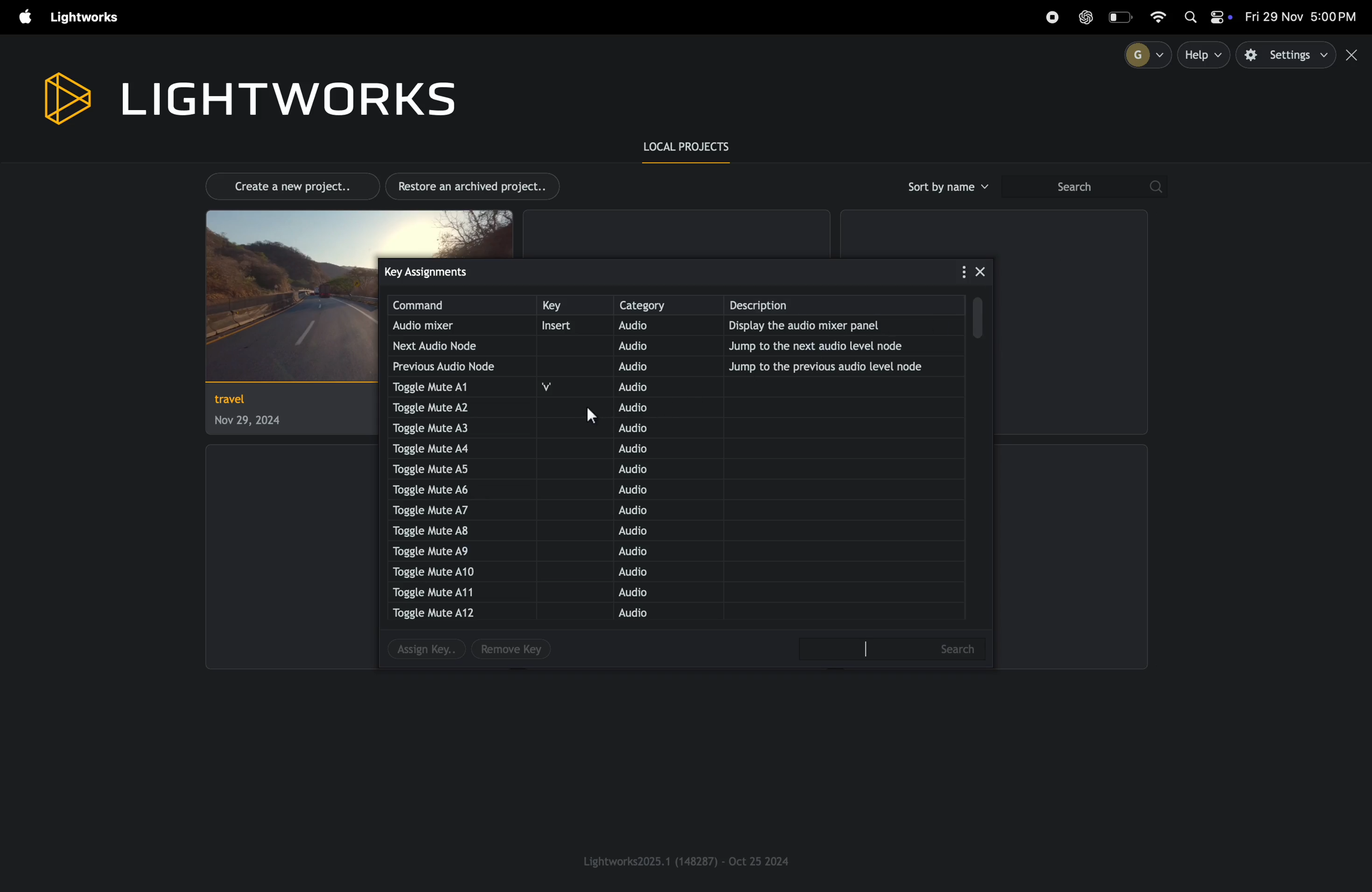 The height and width of the screenshot is (892, 1372). What do you see at coordinates (650, 532) in the screenshot?
I see `audio` at bounding box center [650, 532].